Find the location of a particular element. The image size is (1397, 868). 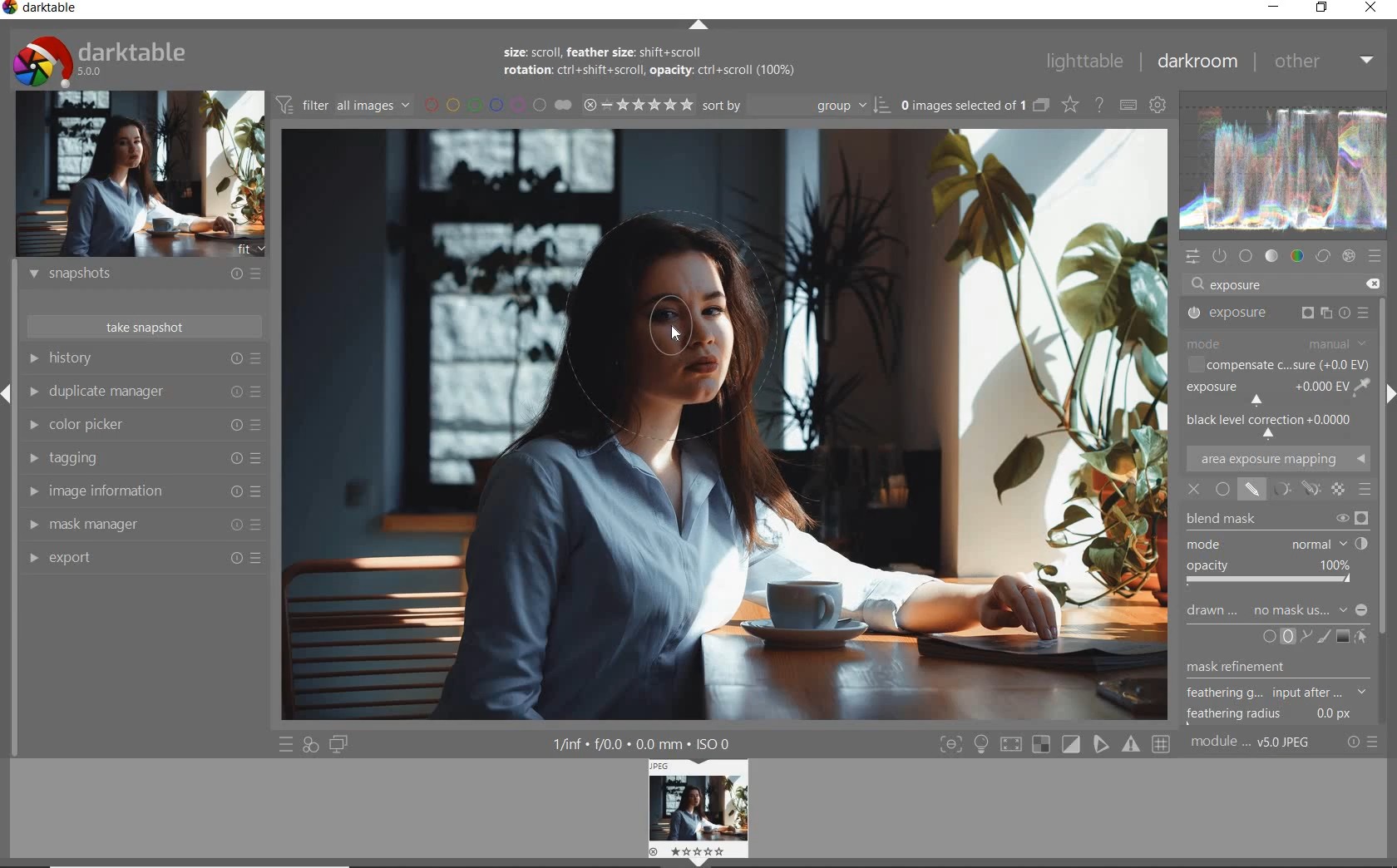

ADD GRADIENT is located at coordinates (1343, 637).